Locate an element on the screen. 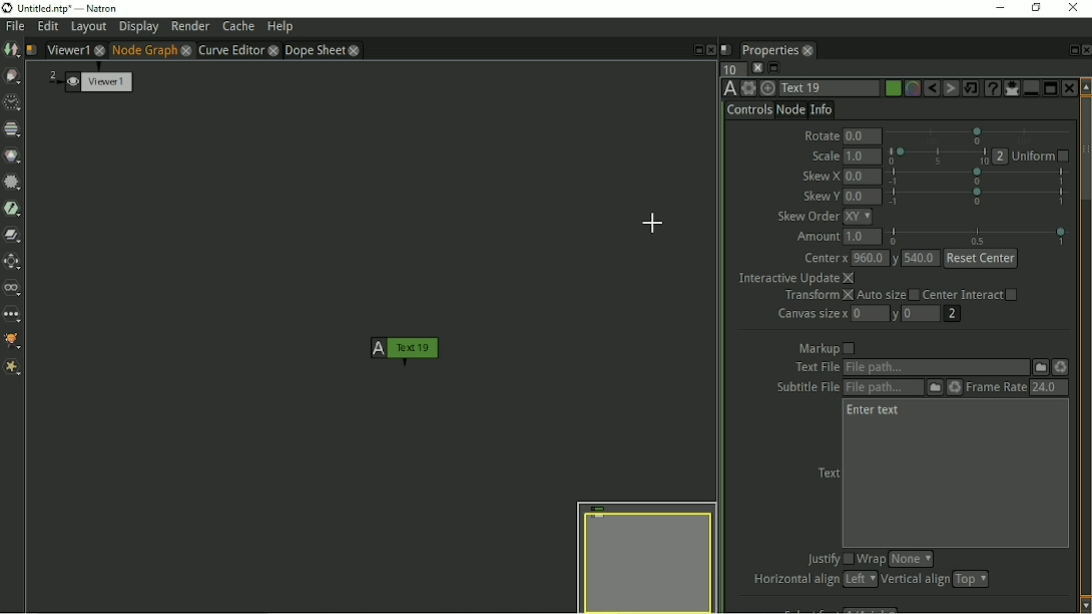 The width and height of the screenshot is (1092, 614). Float pane is located at coordinates (697, 50).